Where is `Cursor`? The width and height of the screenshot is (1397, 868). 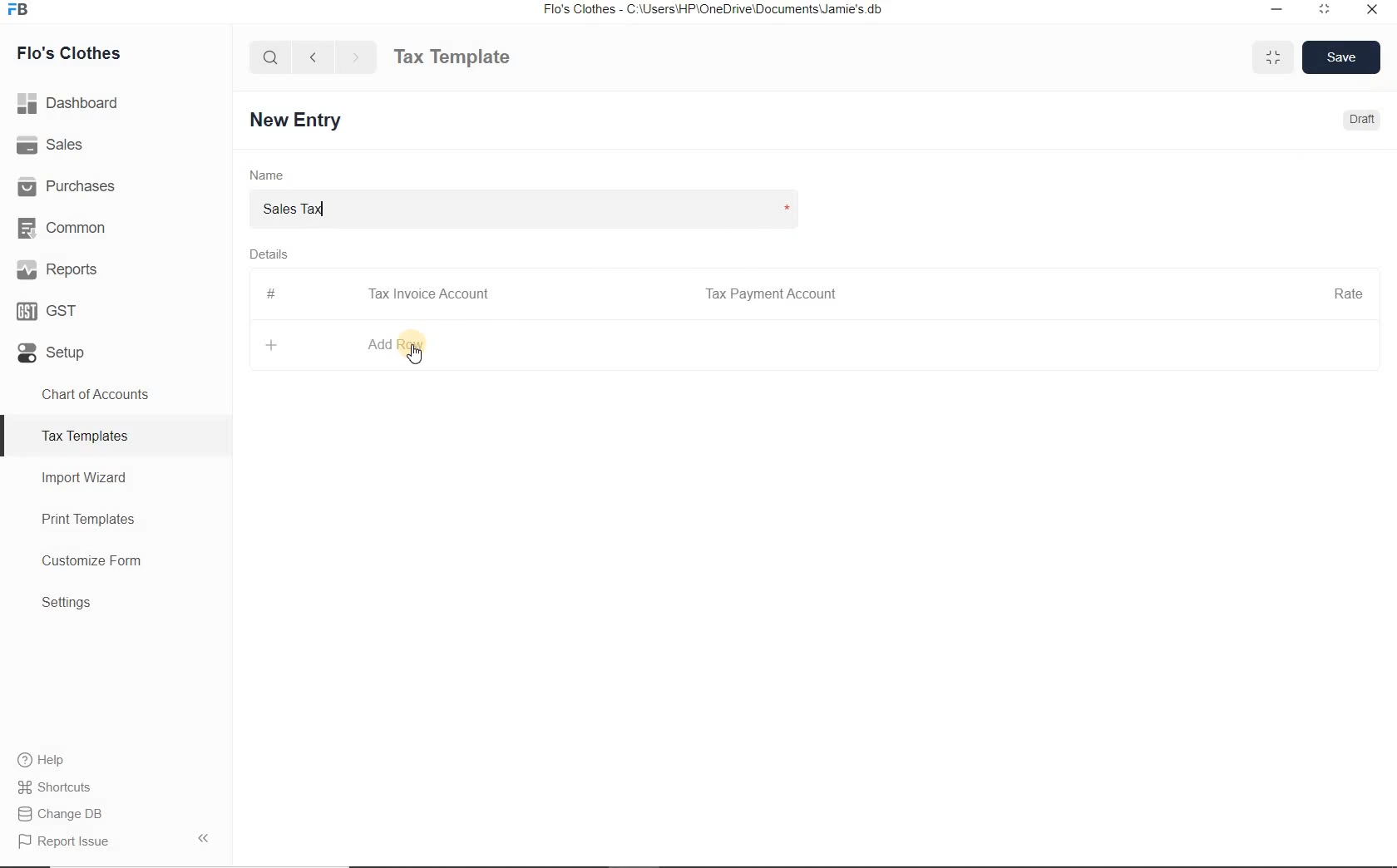 Cursor is located at coordinates (416, 353).